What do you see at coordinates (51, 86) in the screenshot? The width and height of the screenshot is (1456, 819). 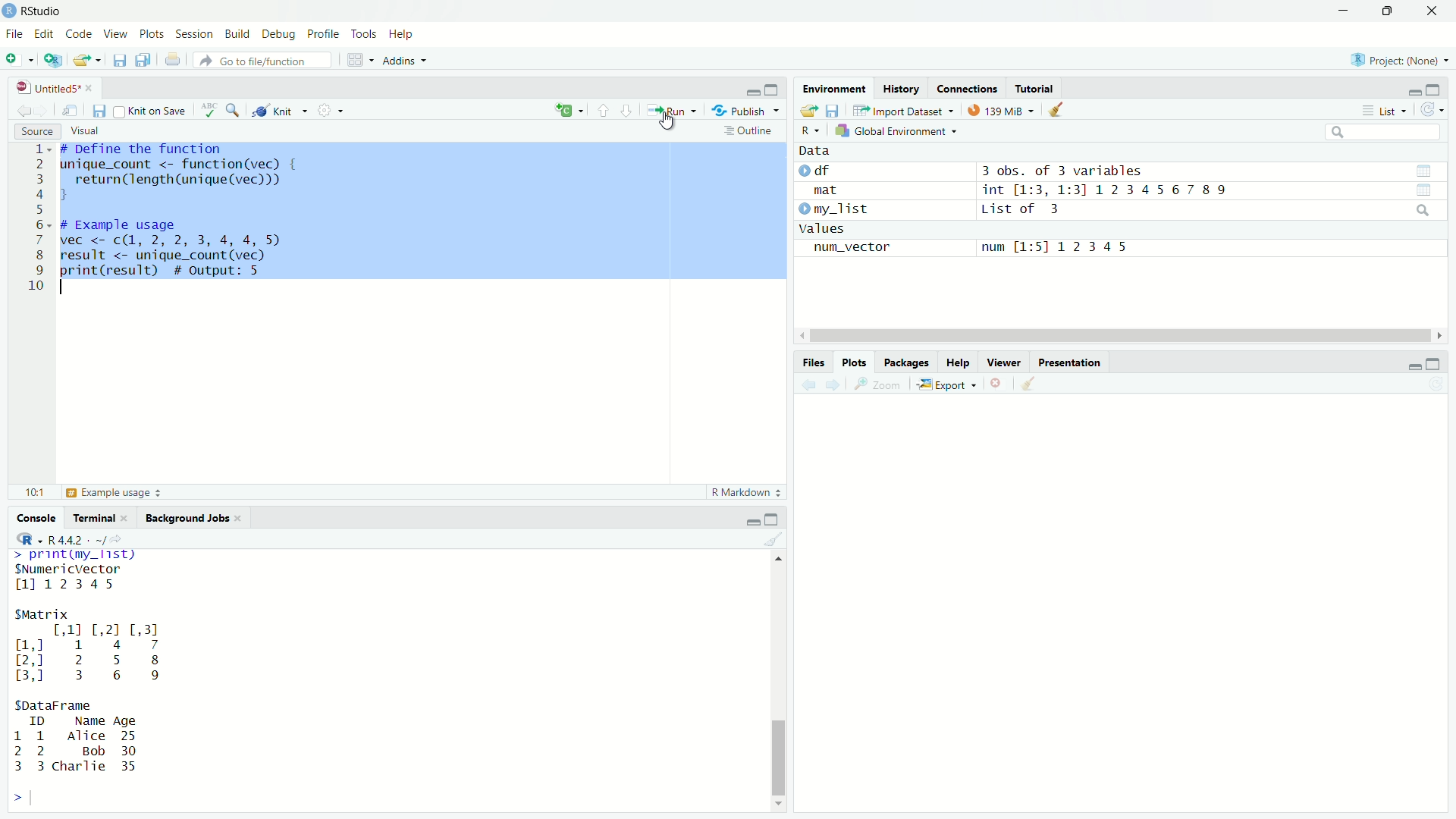 I see `untitled5` at bounding box center [51, 86].